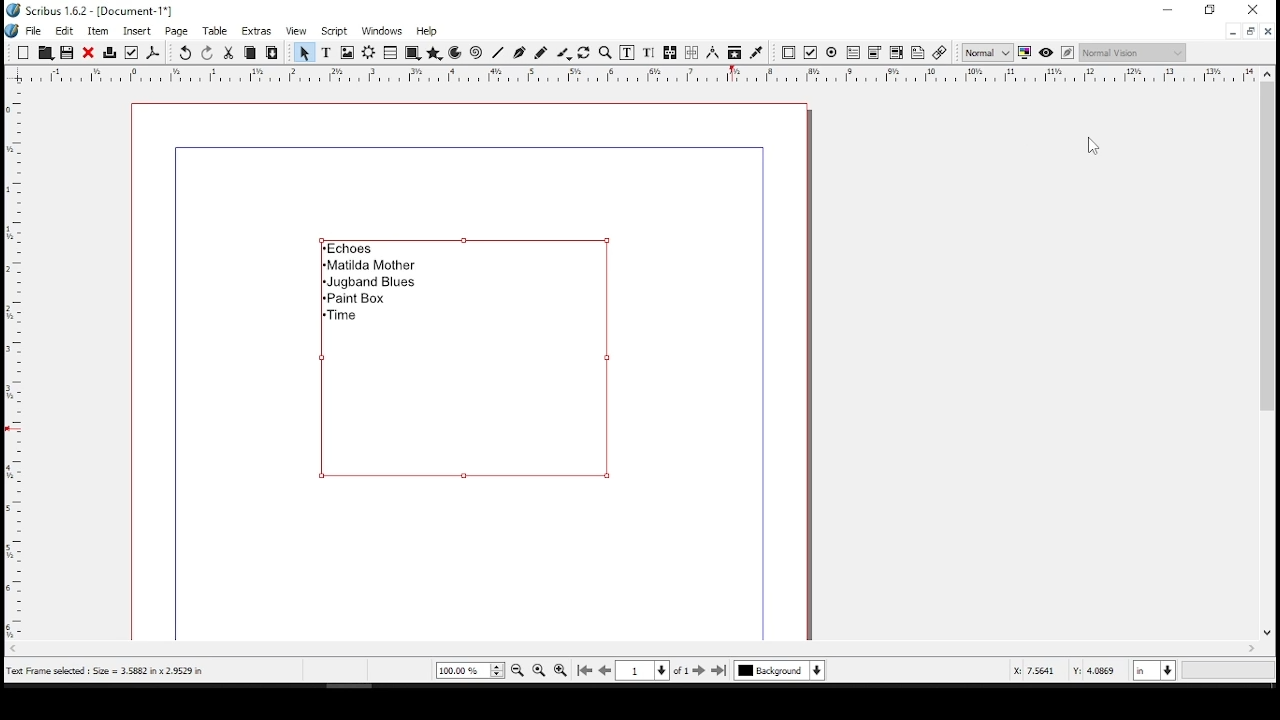 Image resolution: width=1280 pixels, height=720 pixels. Describe the element at coordinates (1046, 51) in the screenshot. I see `preview mode` at that location.